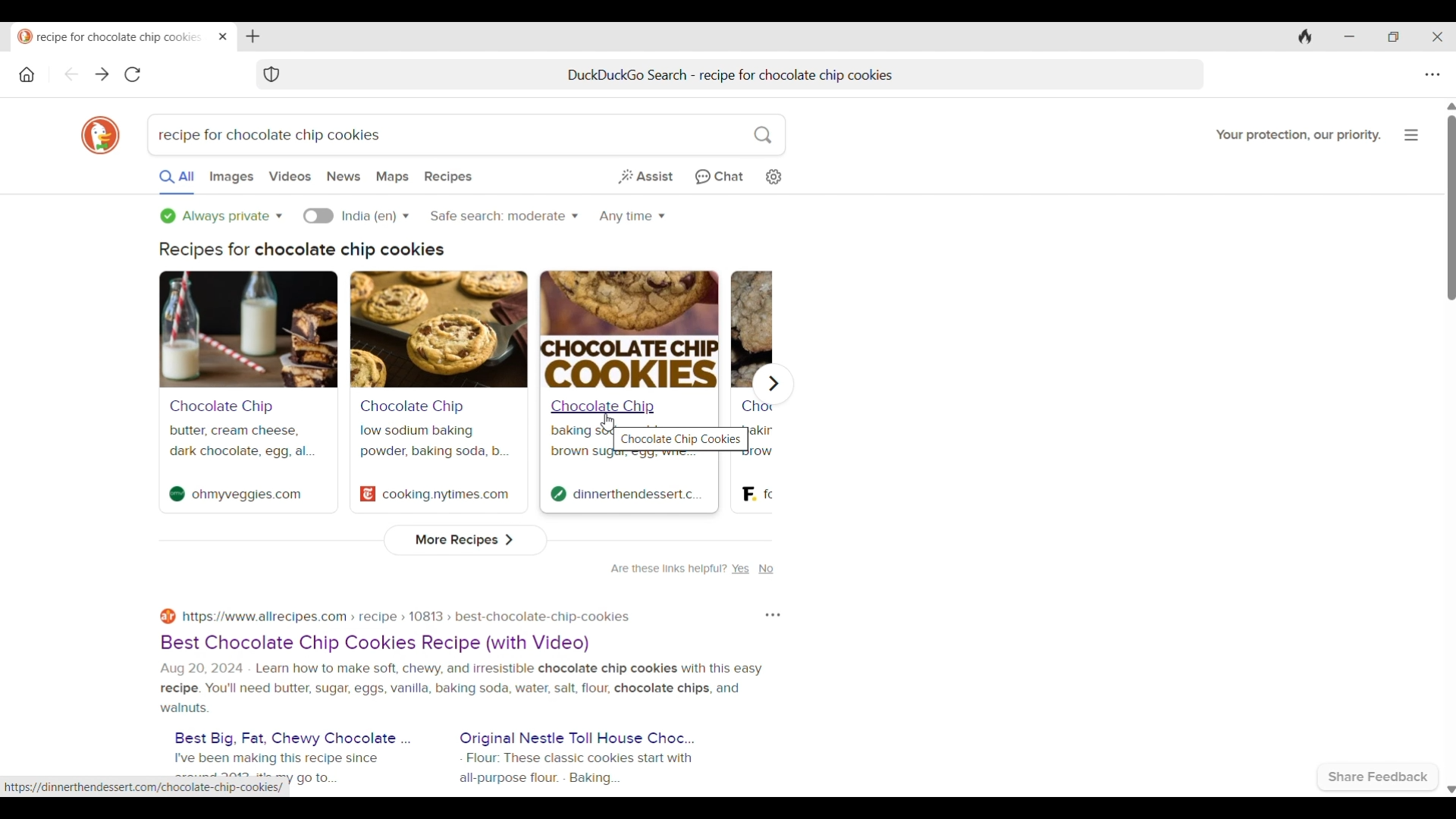  Describe the element at coordinates (375, 644) in the screenshot. I see `Best Chocolate Chip Cookies Recipe (with Video)` at that location.